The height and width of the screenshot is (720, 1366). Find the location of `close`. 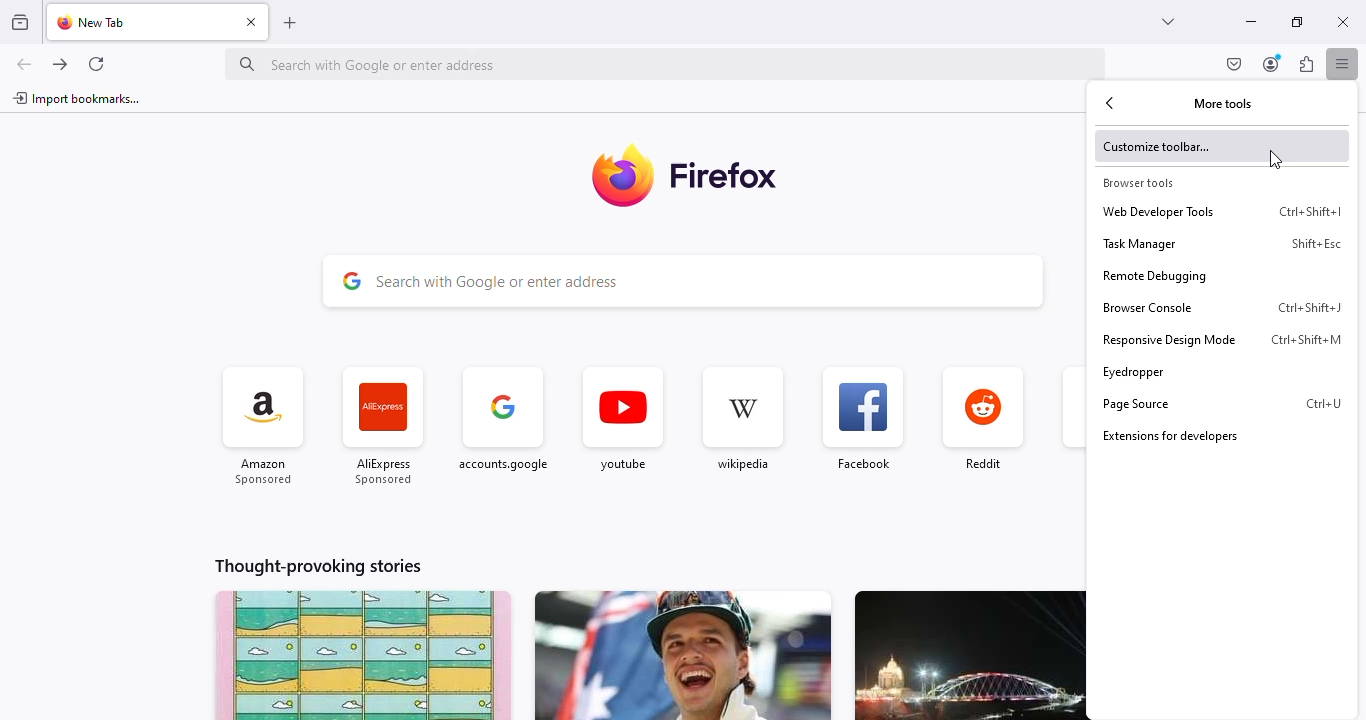

close is located at coordinates (1344, 22).